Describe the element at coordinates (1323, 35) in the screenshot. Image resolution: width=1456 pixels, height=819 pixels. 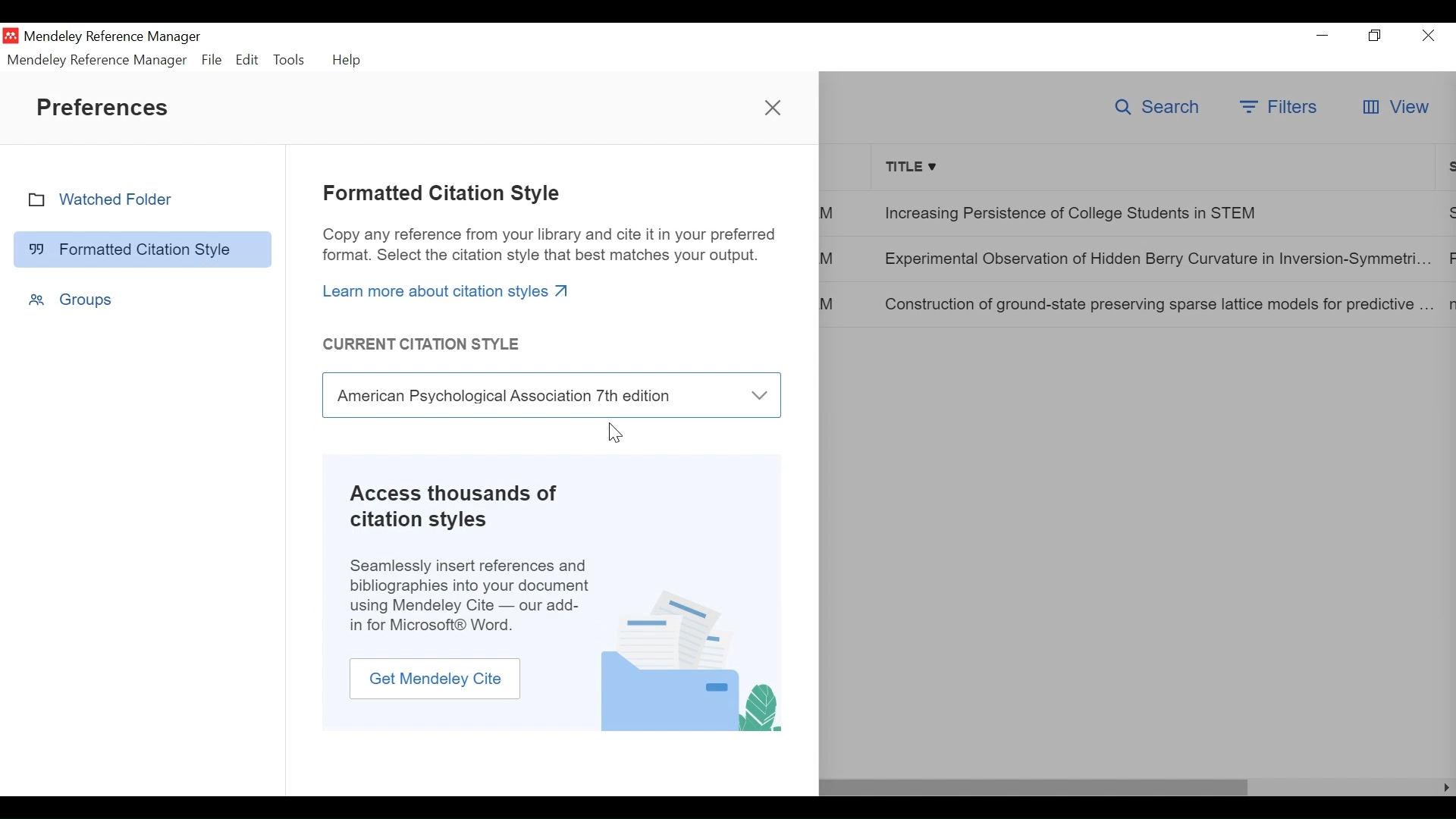
I see `Minimize` at that location.